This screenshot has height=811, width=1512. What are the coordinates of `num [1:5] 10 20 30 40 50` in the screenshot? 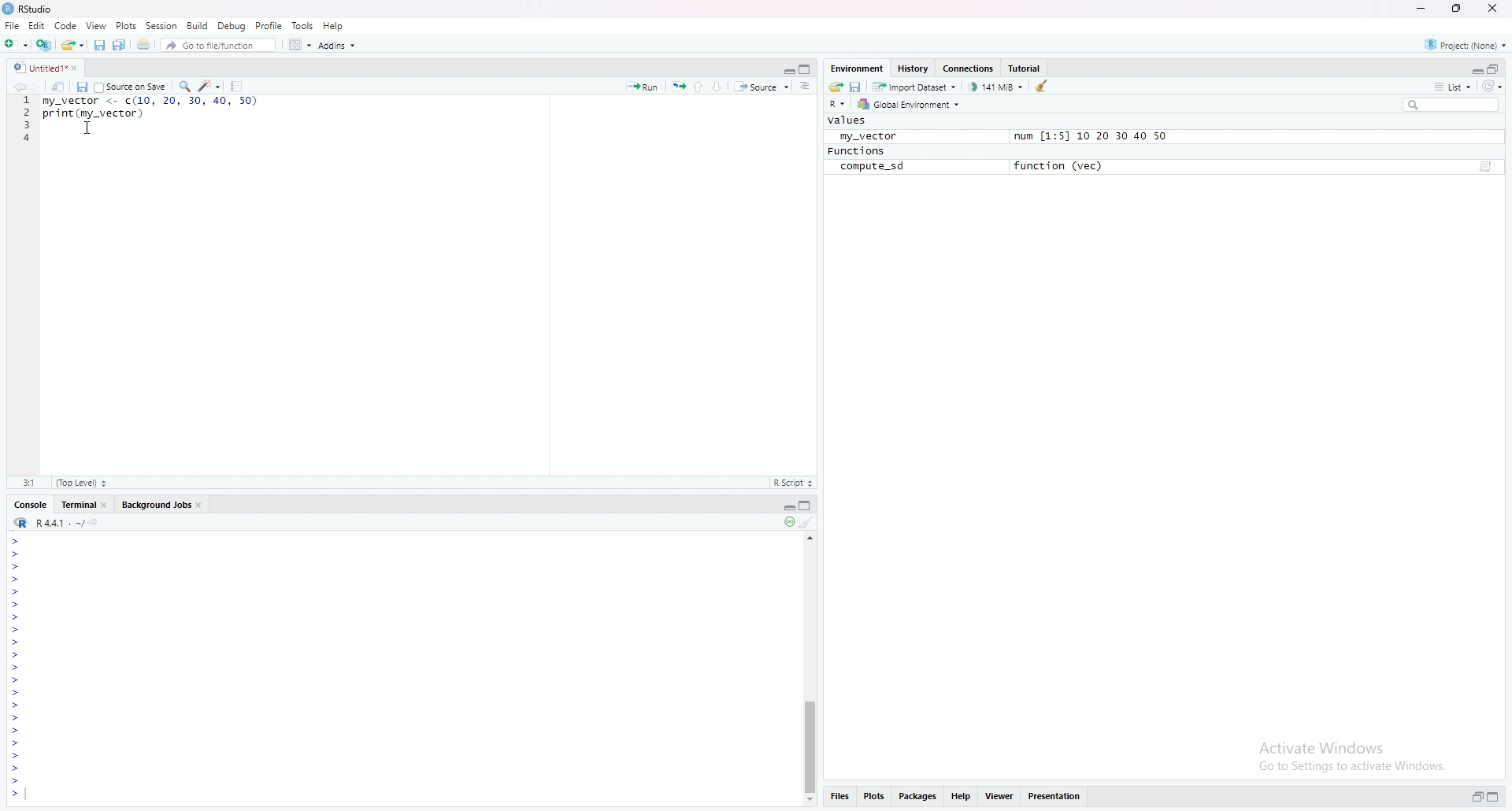 It's located at (1090, 137).